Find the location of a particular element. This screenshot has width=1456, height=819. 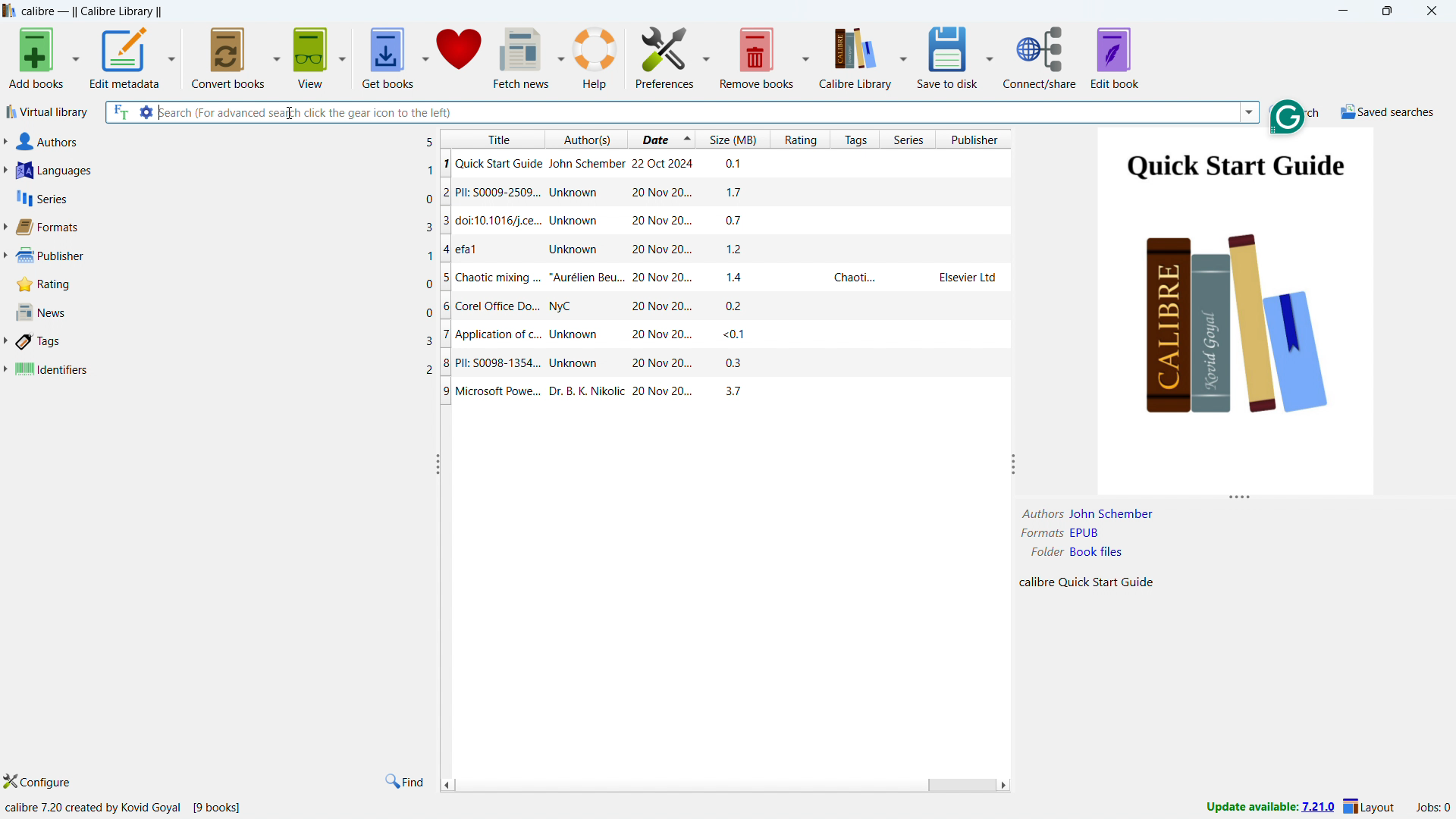

PII: S0098-1354... is located at coordinates (715, 366).